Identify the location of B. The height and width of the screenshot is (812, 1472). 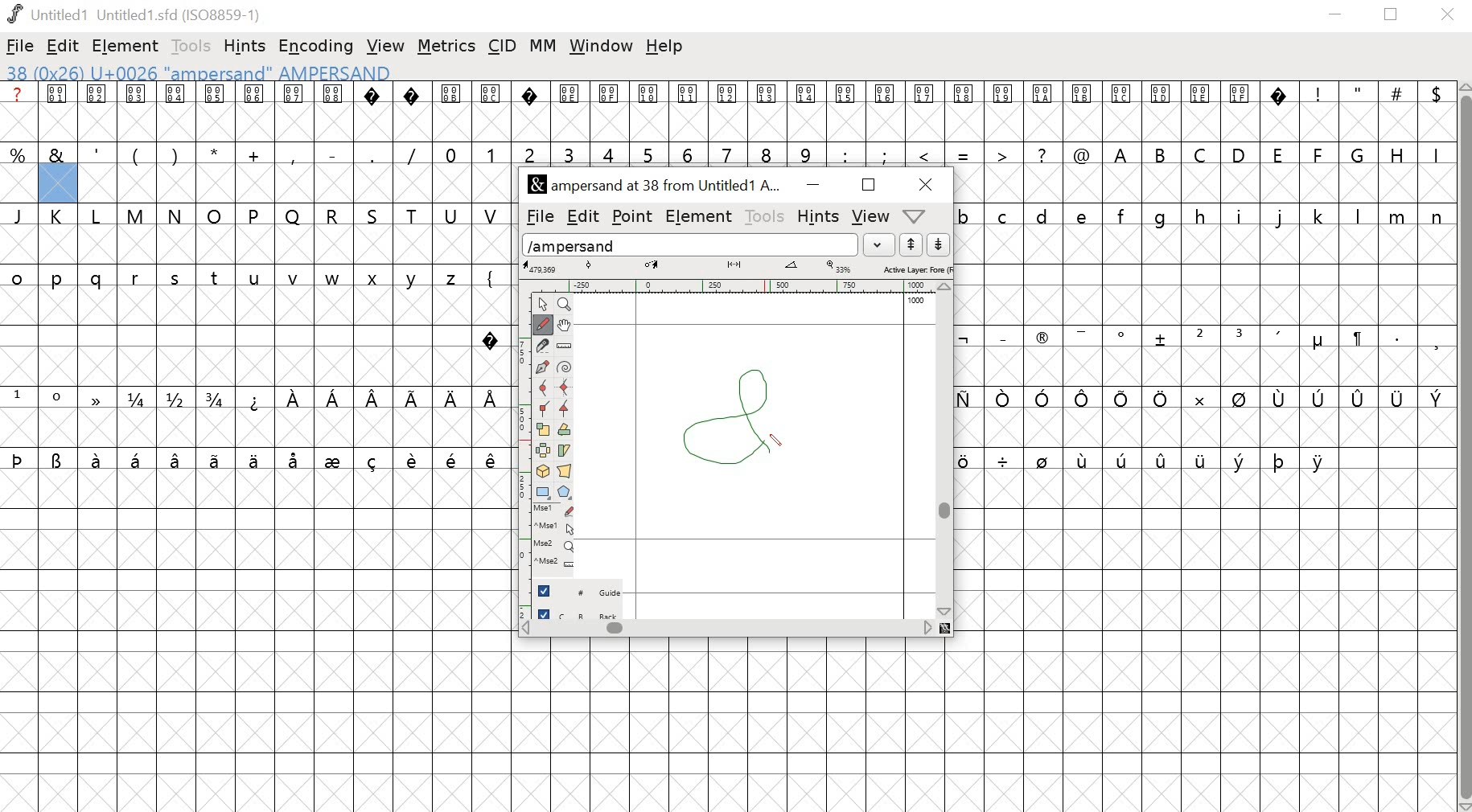
(1162, 154).